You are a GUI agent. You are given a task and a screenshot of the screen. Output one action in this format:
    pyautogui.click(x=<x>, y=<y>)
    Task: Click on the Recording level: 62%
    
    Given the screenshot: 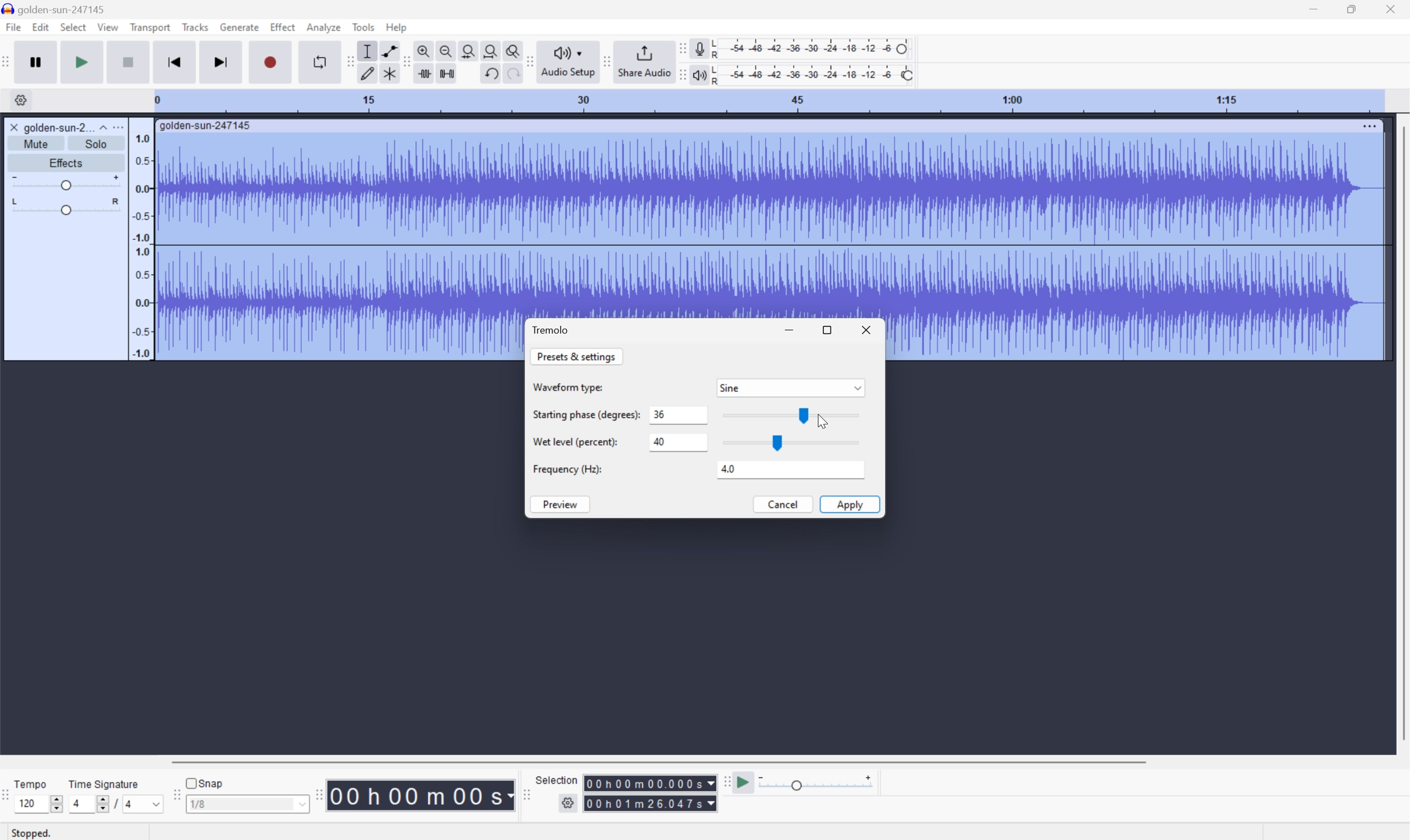 What is the action you would take?
    pyautogui.click(x=813, y=48)
    